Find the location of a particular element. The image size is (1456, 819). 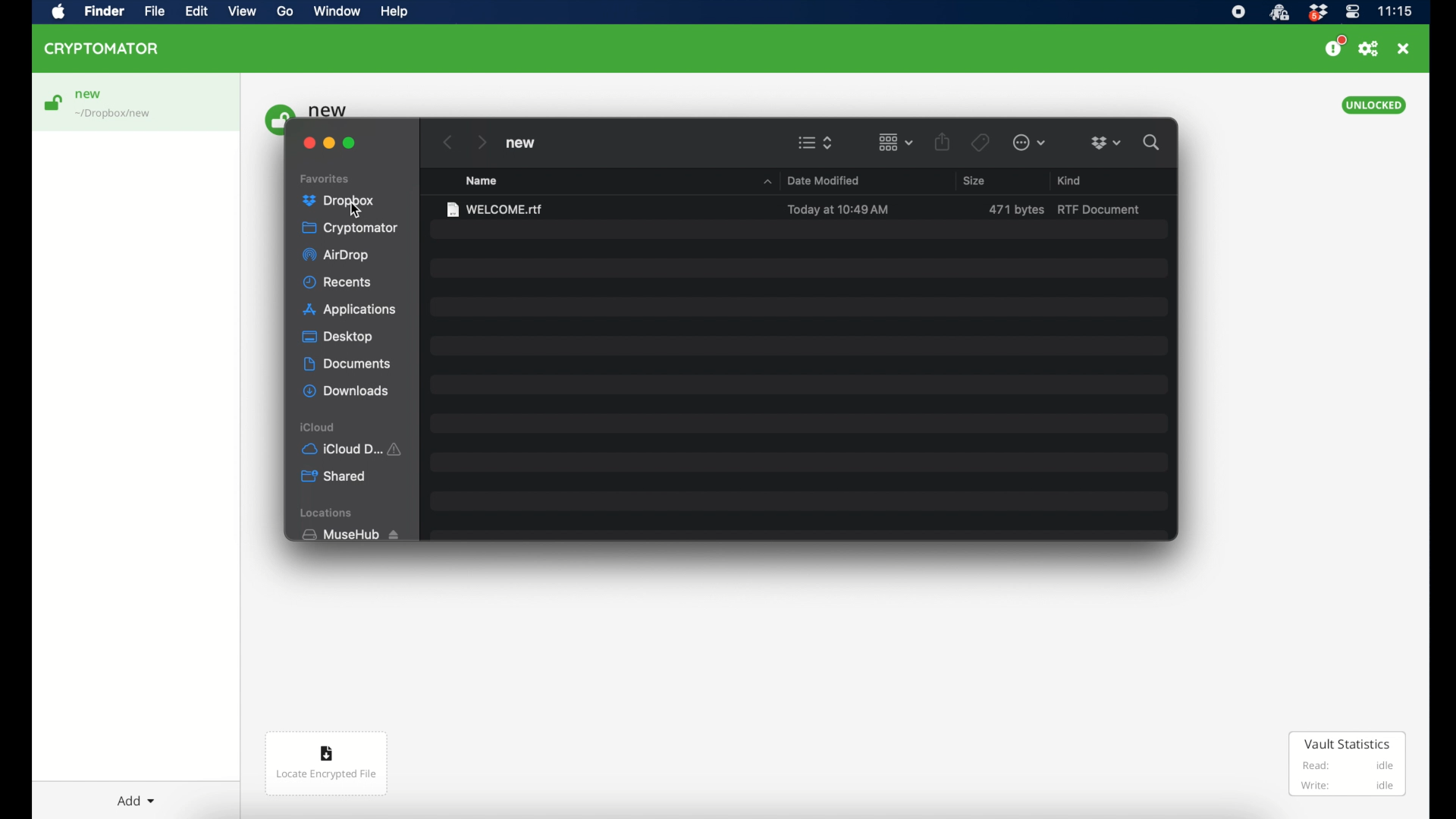

applications is located at coordinates (352, 310).